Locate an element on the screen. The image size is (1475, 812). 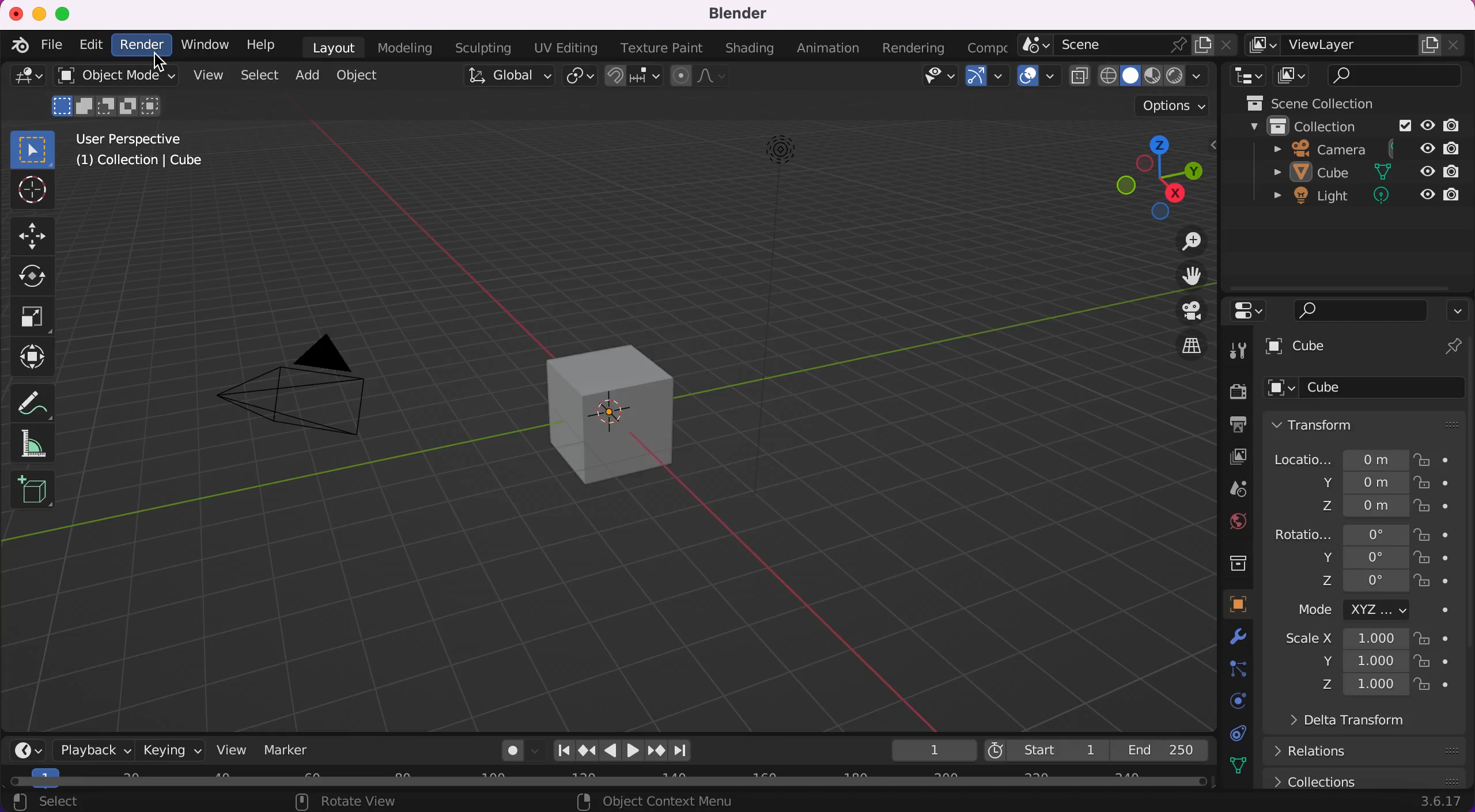
lock is located at coordinates (1431, 638).